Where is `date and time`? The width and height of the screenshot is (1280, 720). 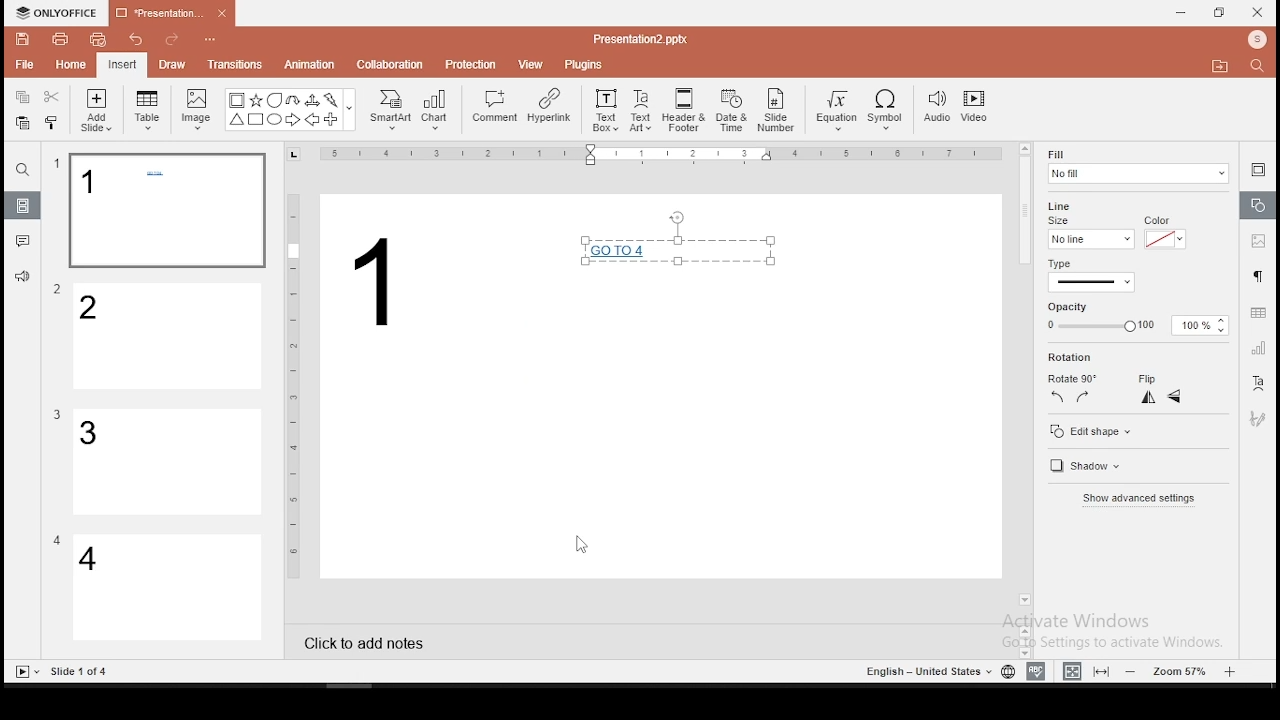 date and time is located at coordinates (732, 110).